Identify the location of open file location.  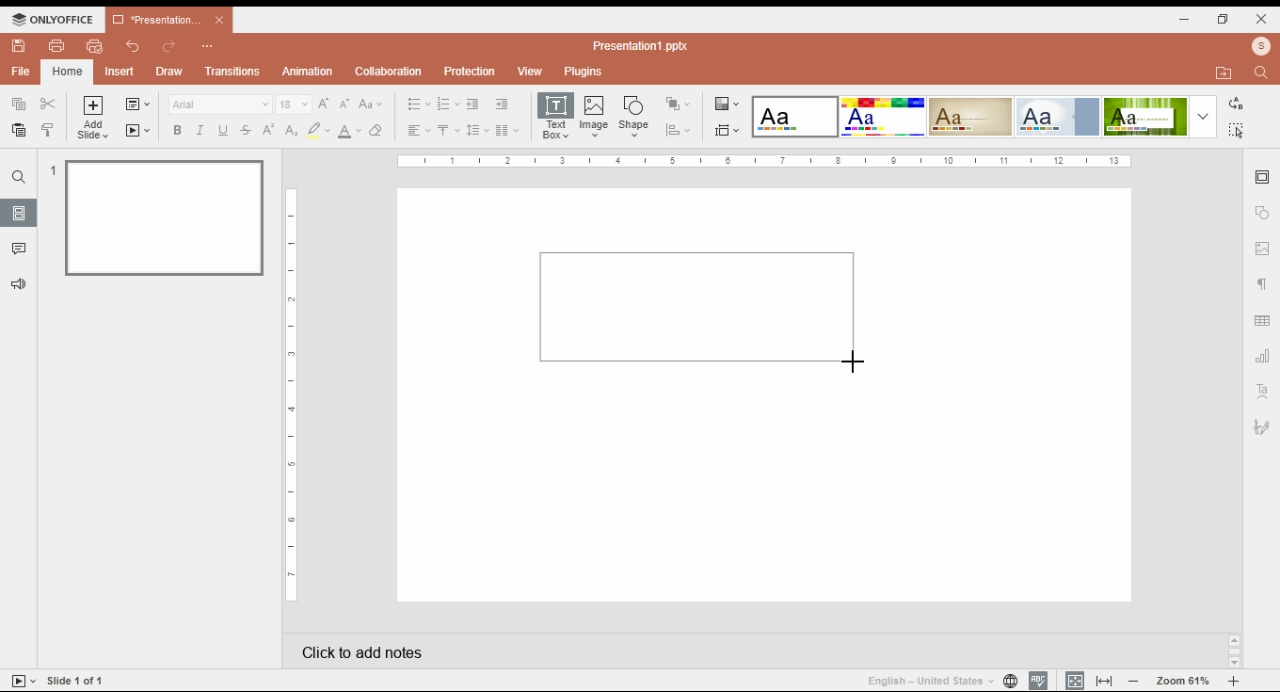
(1227, 72).